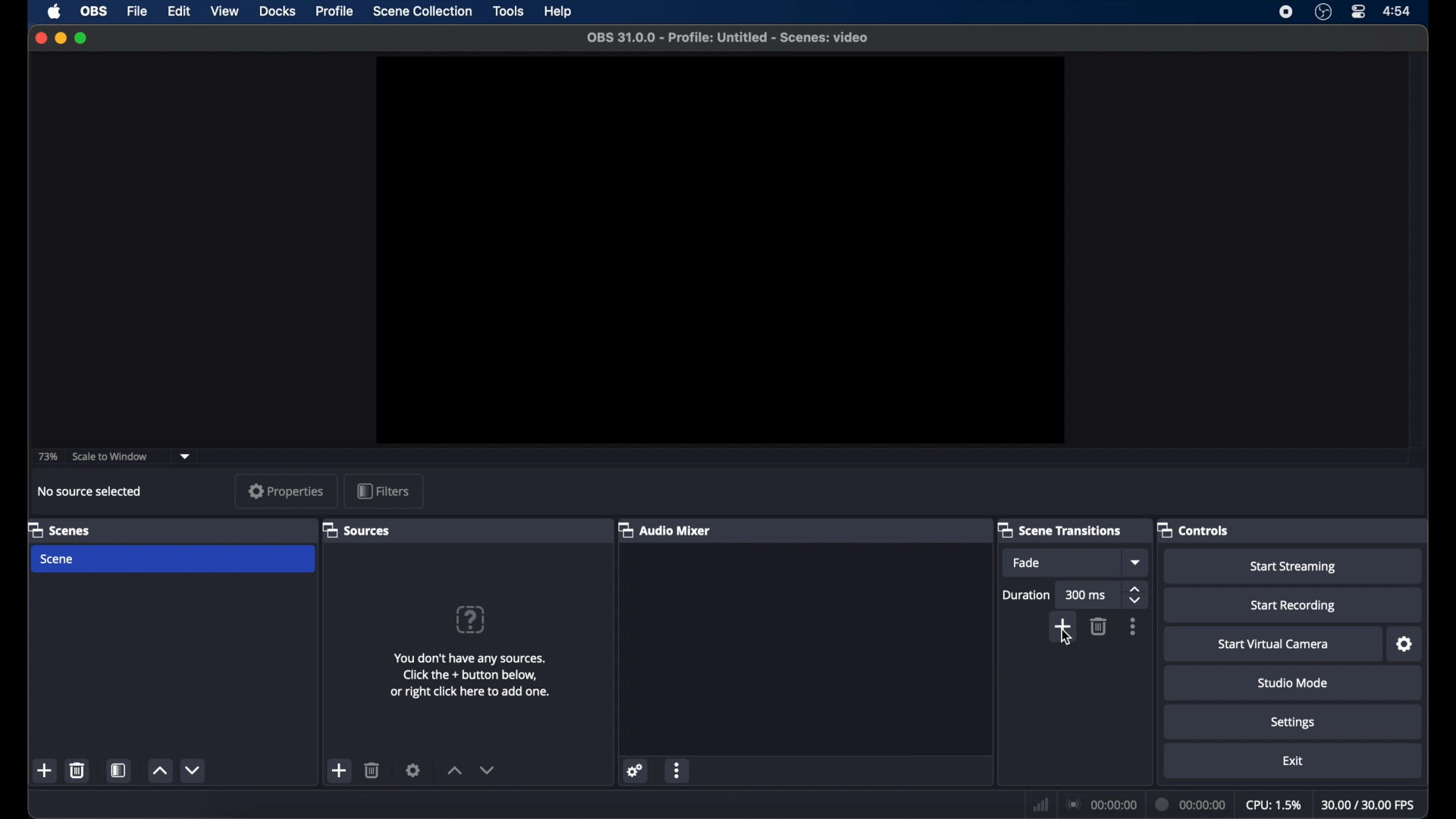 The image size is (1456, 819). What do you see at coordinates (1405, 645) in the screenshot?
I see `settings` at bounding box center [1405, 645].